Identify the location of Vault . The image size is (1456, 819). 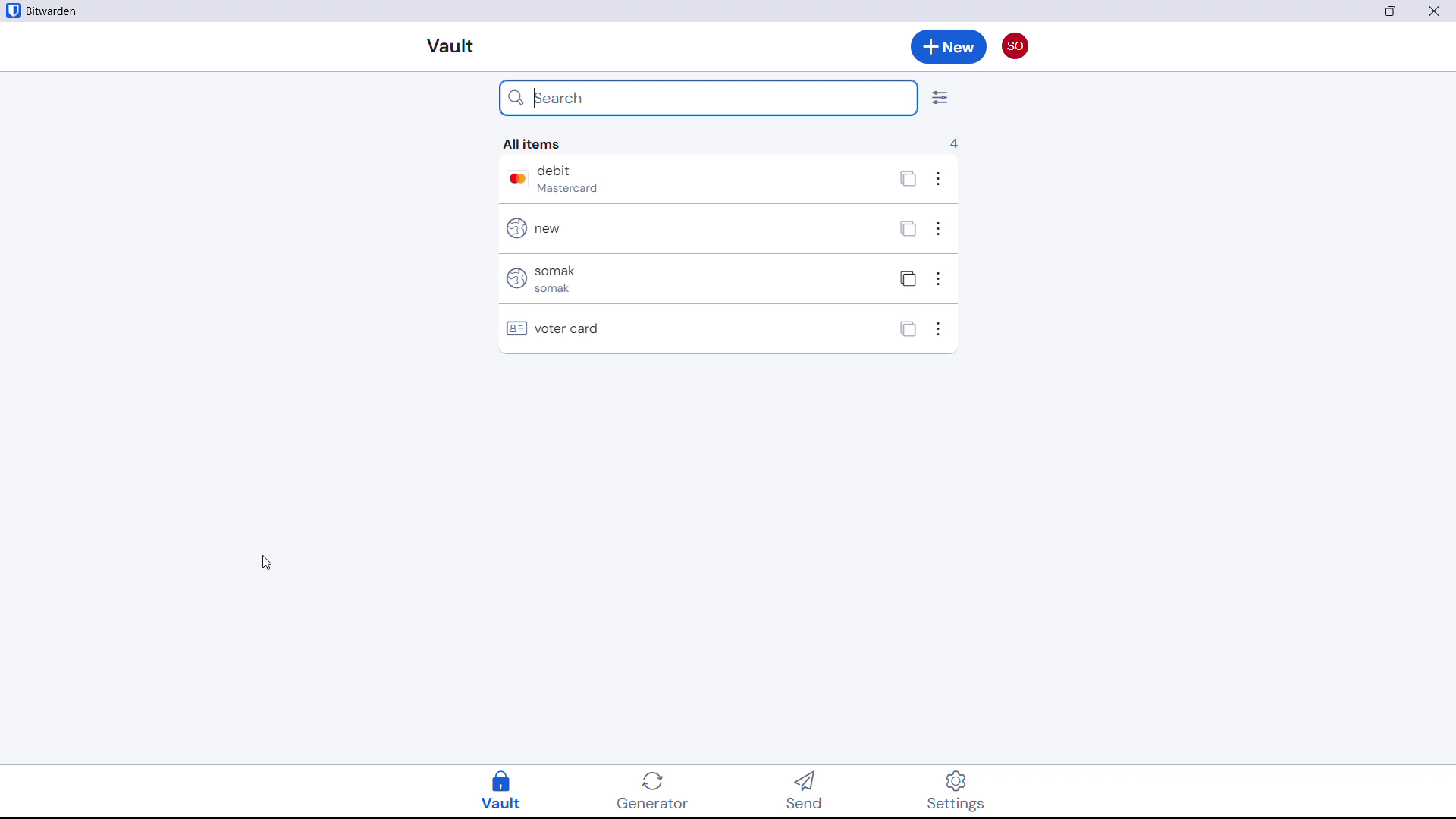
(453, 46).